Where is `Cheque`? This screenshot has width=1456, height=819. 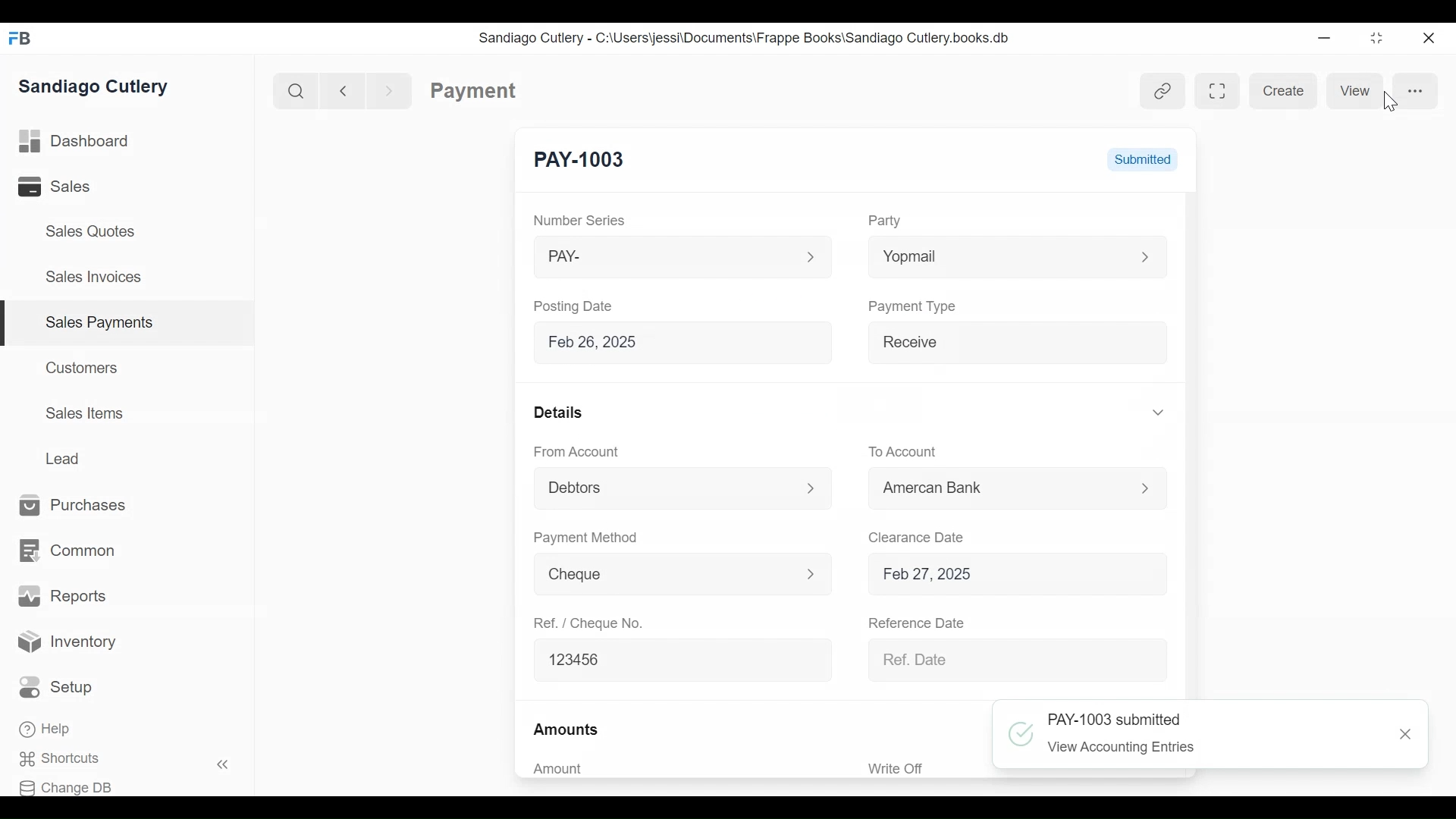 Cheque is located at coordinates (661, 574).